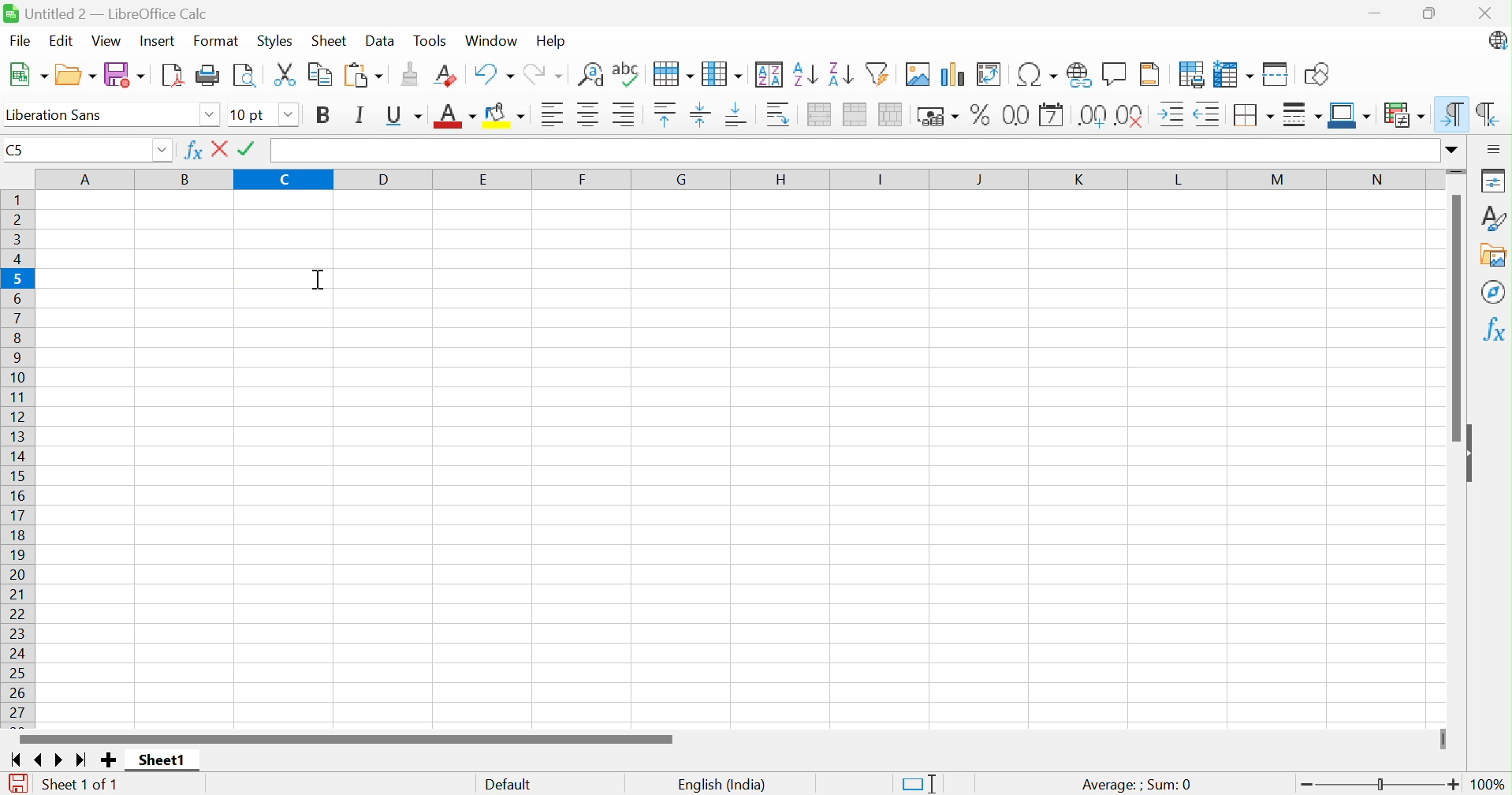 This screenshot has width=1512, height=795. What do you see at coordinates (736, 116) in the screenshot?
I see `Align bottom` at bounding box center [736, 116].